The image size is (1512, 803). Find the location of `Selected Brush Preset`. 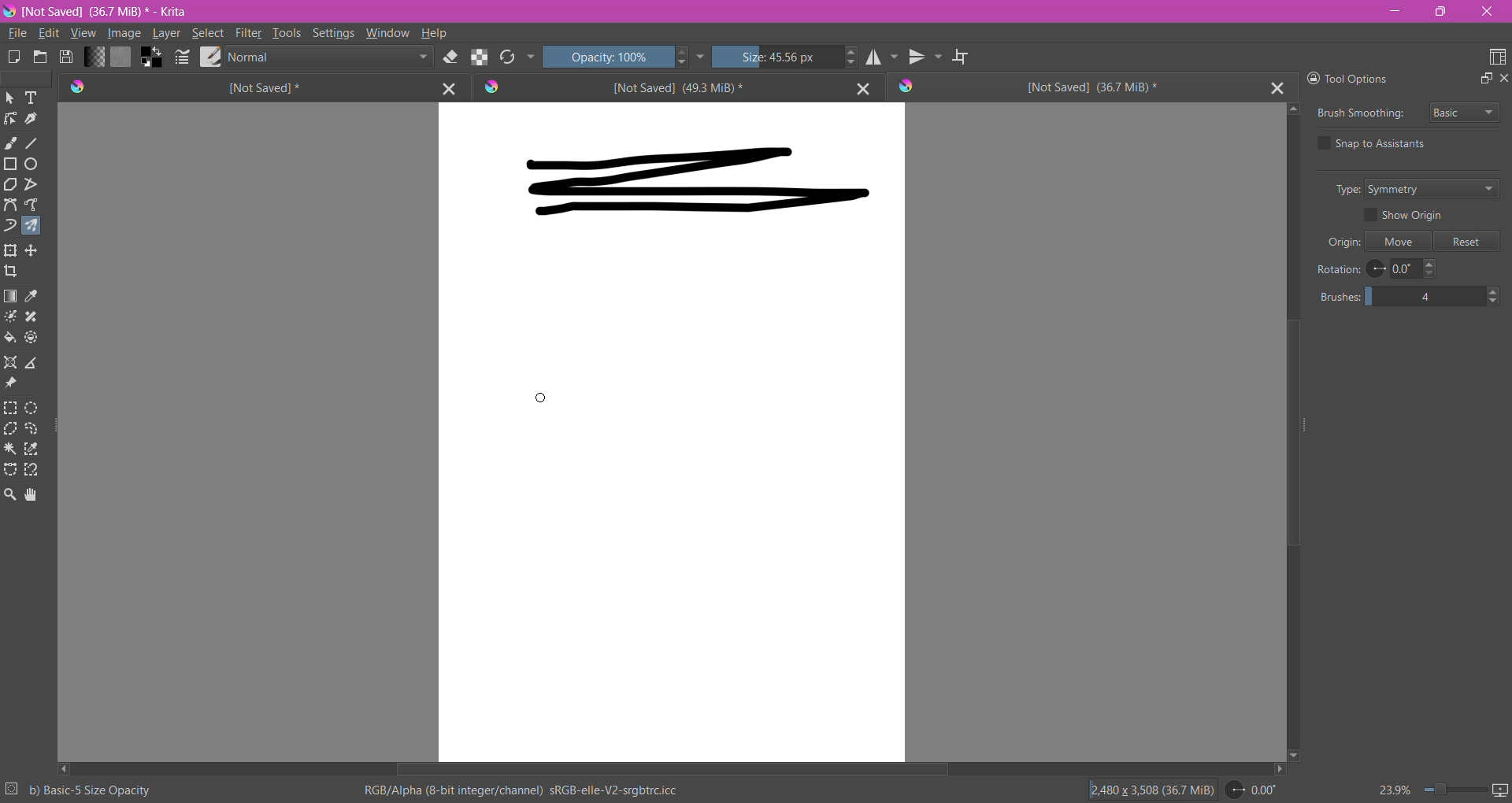

Selected Brush Preset is located at coordinates (91, 790).